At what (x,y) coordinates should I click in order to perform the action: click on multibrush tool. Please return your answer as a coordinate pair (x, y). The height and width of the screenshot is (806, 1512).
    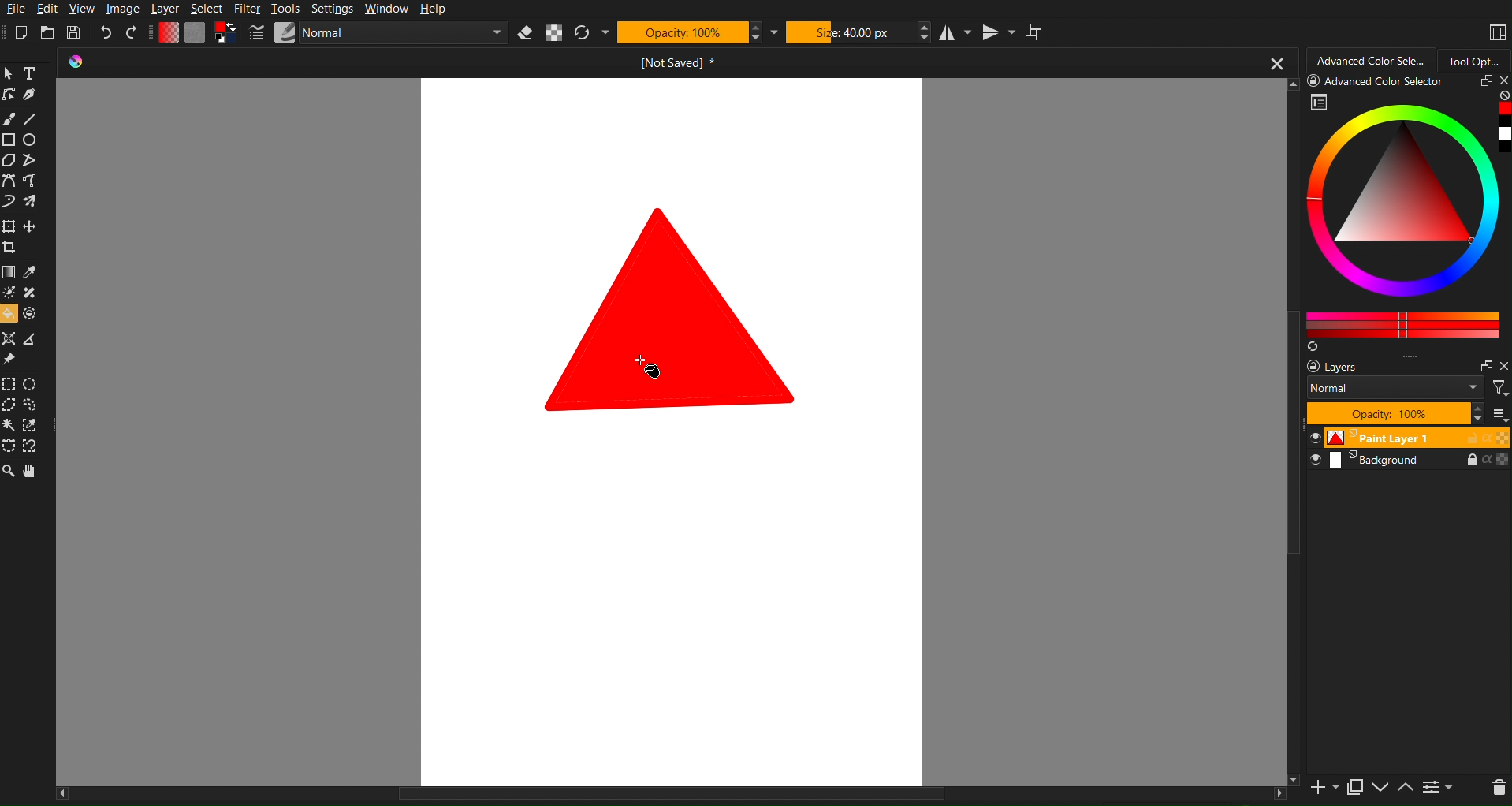
    Looking at the image, I should click on (35, 202).